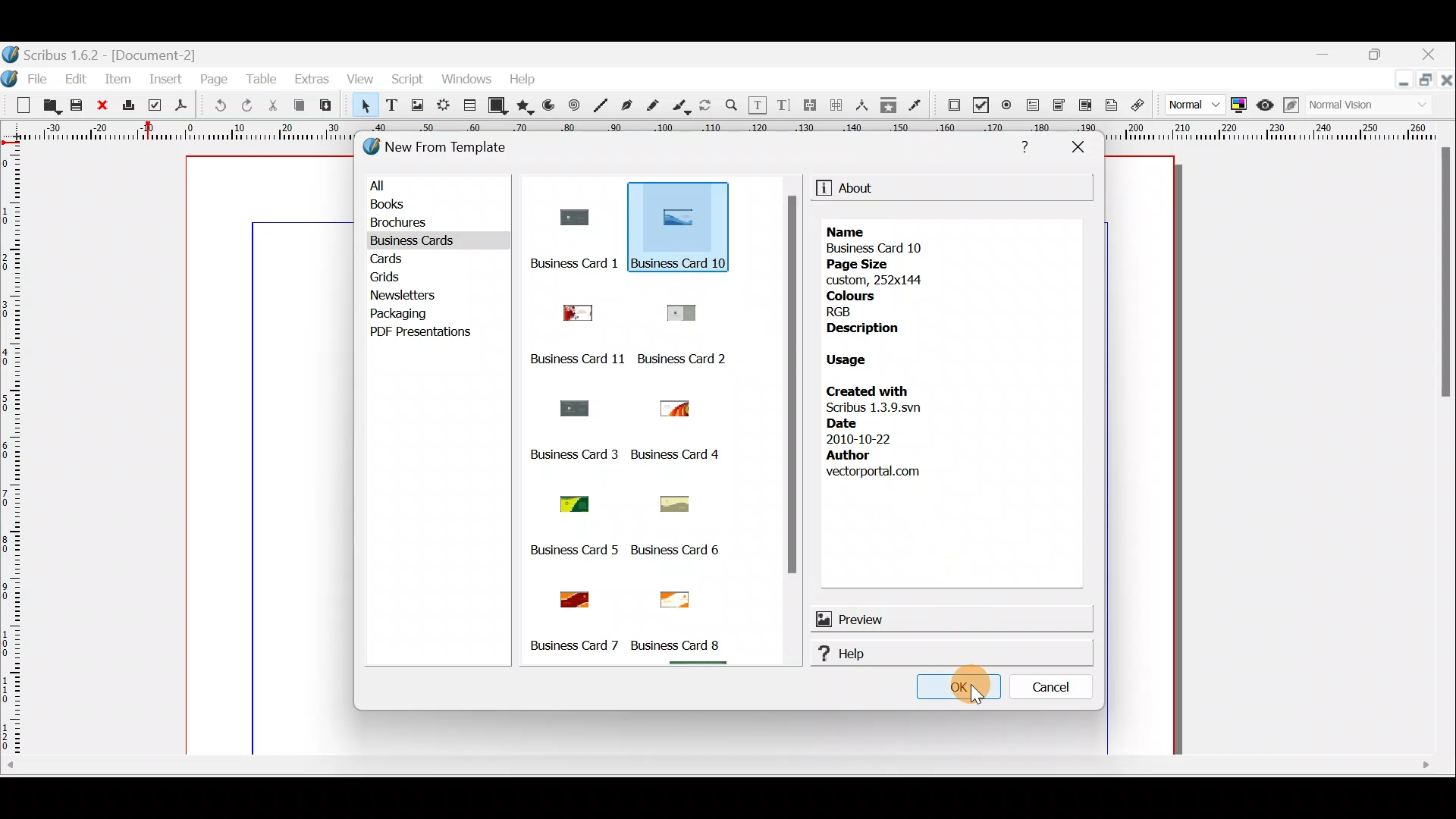 The image size is (1456, 819). What do you see at coordinates (311, 77) in the screenshot?
I see `Extras` at bounding box center [311, 77].